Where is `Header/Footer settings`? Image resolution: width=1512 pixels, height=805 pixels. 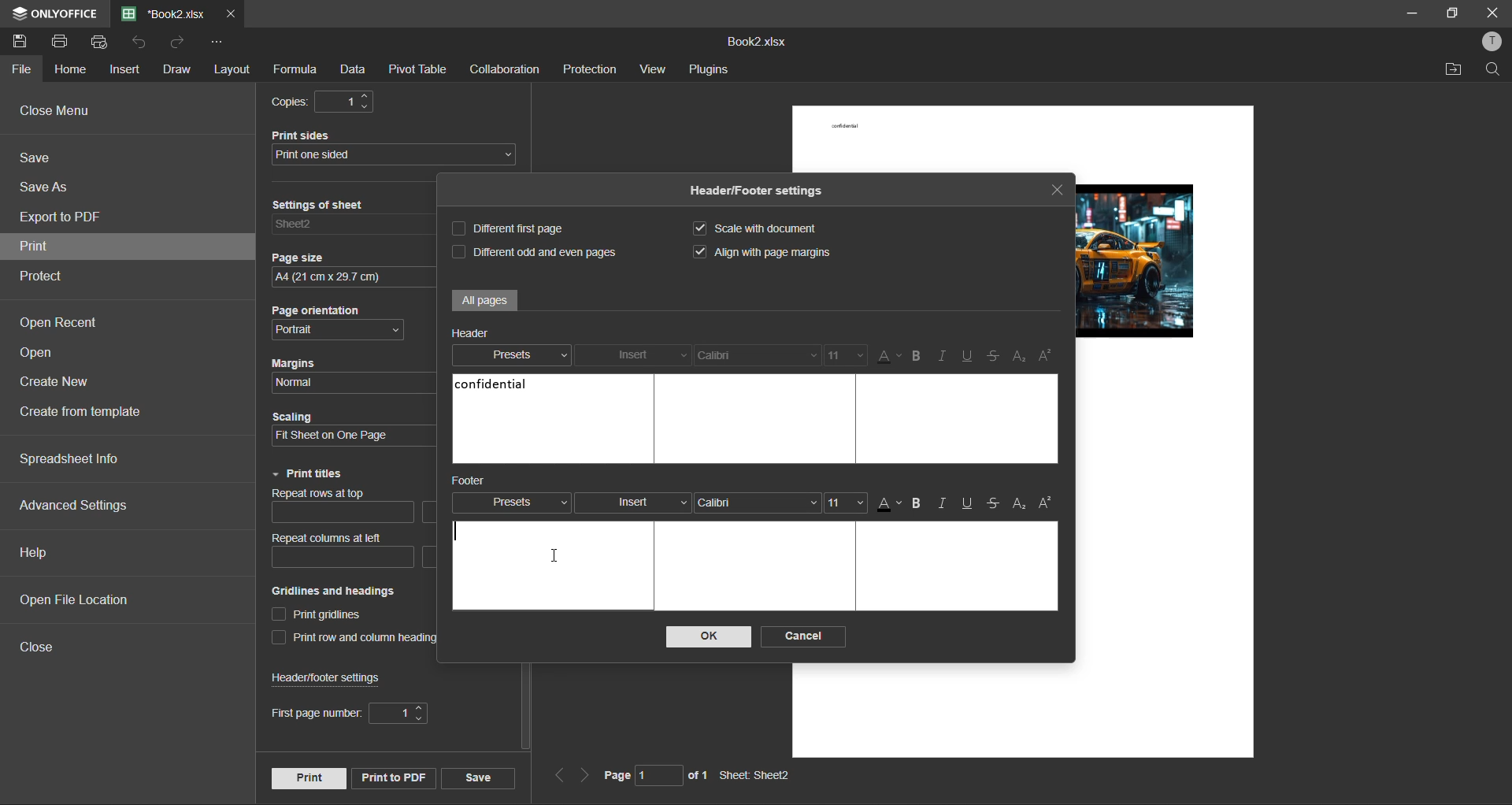
Header/Footer settings is located at coordinates (756, 189).